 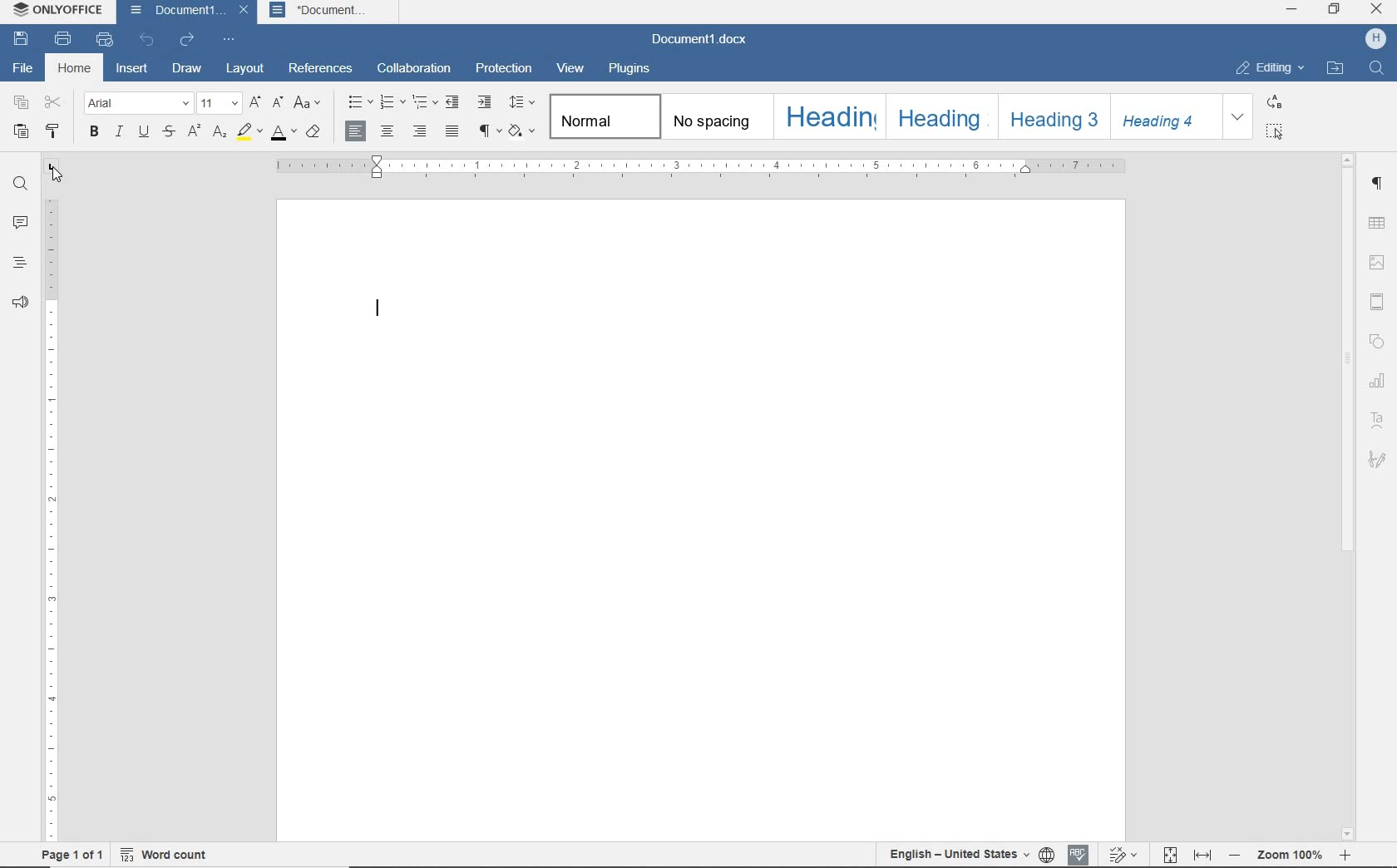 What do you see at coordinates (167, 133) in the screenshot?
I see `STRIKETHROUGH` at bounding box center [167, 133].